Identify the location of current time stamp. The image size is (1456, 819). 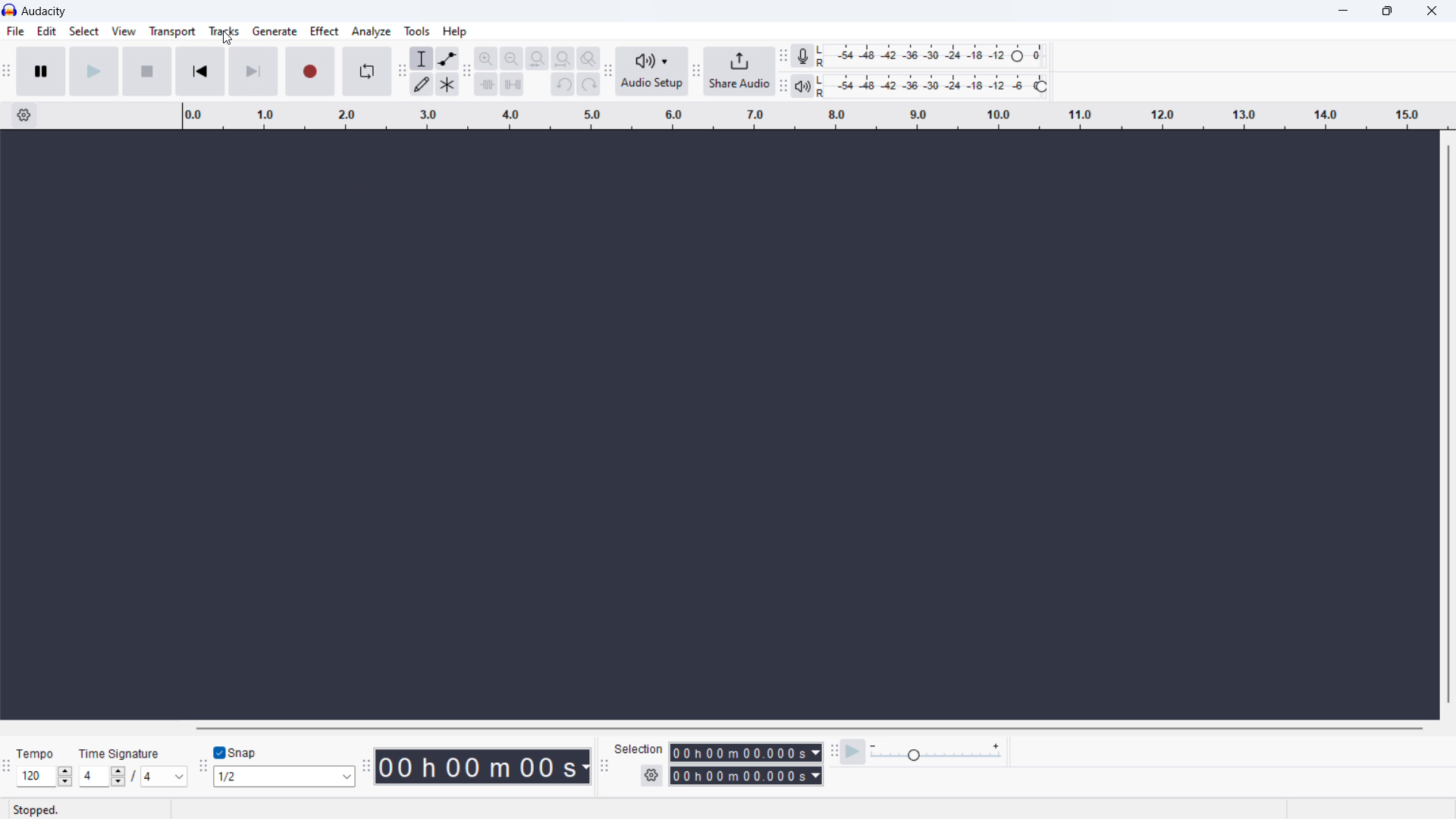
(480, 766).